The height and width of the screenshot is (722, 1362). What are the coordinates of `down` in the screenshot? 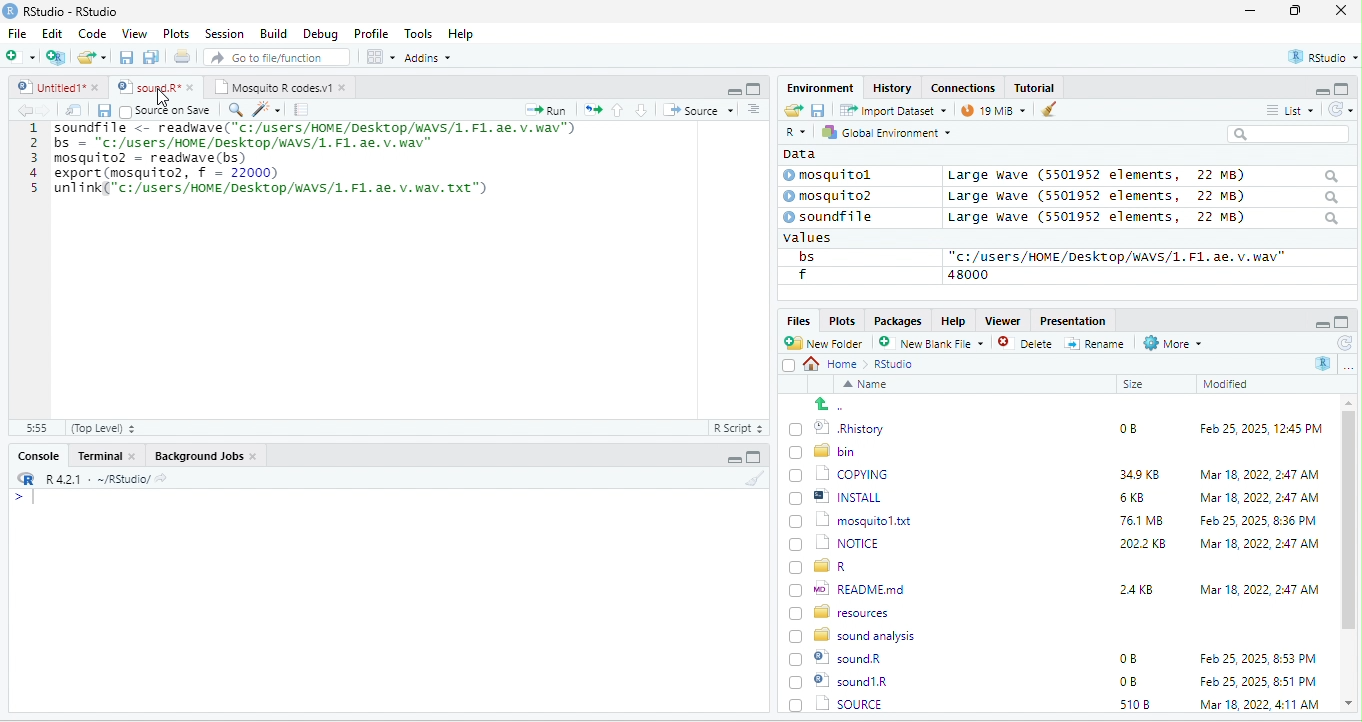 It's located at (642, 109).